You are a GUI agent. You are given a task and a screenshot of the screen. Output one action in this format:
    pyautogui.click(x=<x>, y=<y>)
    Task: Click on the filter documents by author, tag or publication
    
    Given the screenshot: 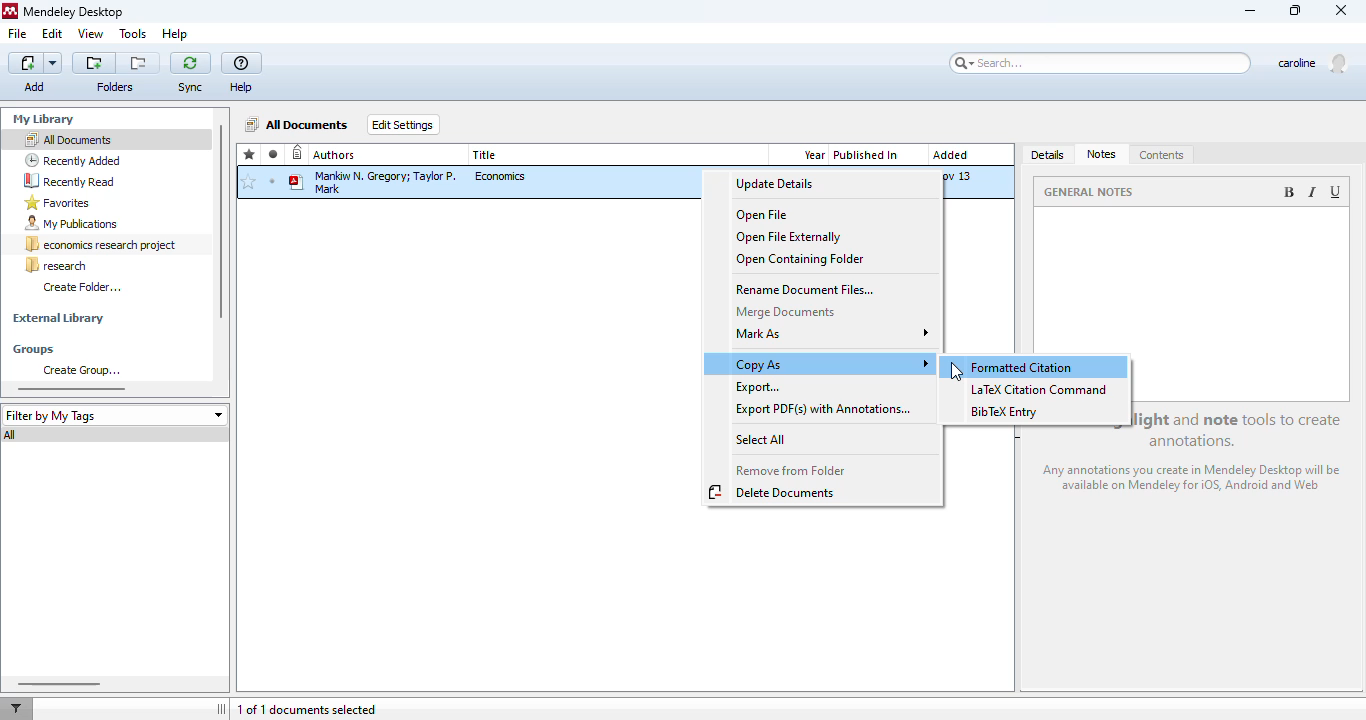 What is the action you would take?
    pyautogui.click(x=15, y=709)
    